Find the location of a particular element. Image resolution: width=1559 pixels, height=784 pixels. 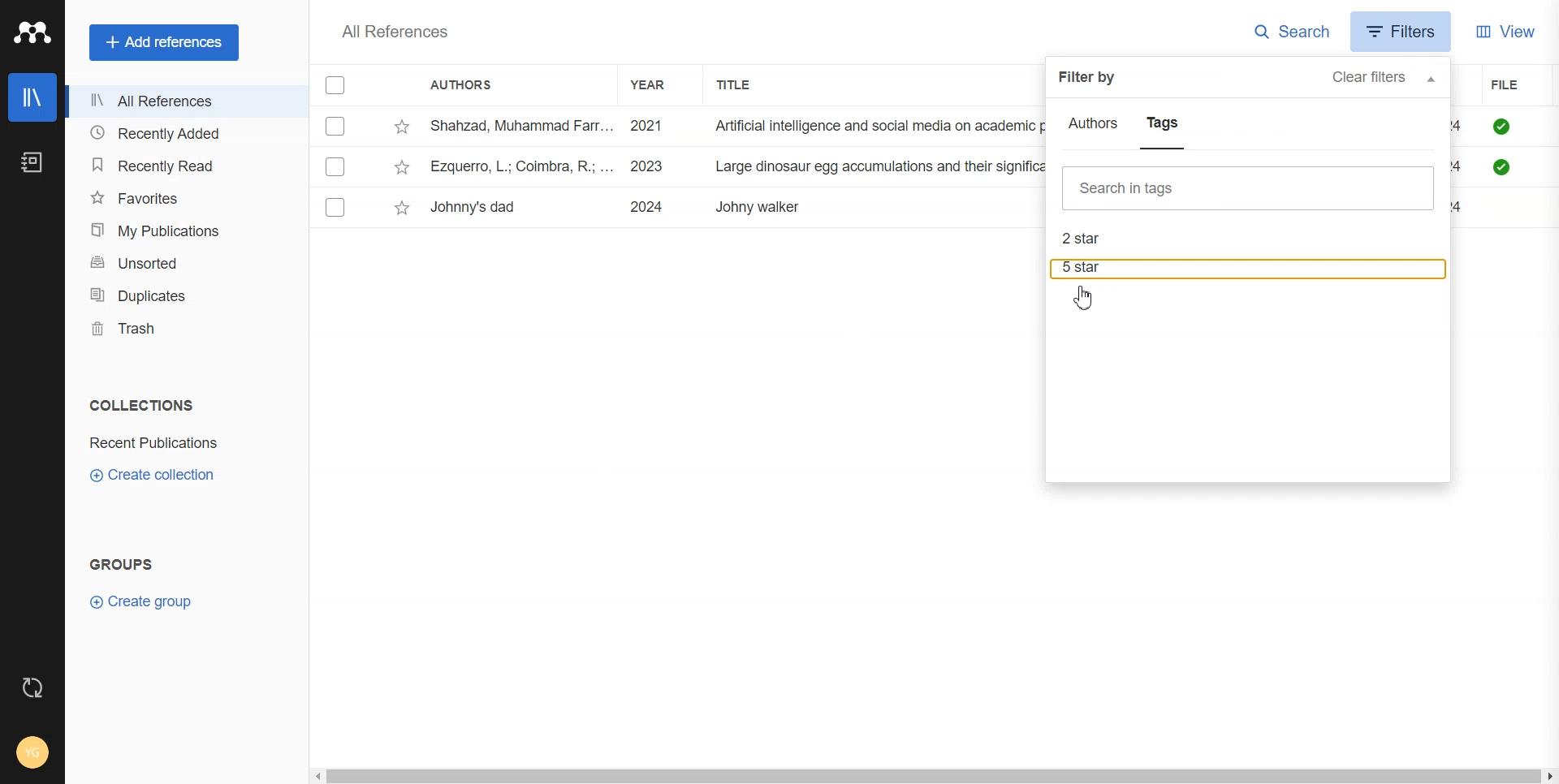

Recently Added is located at coordinates (181, 134).